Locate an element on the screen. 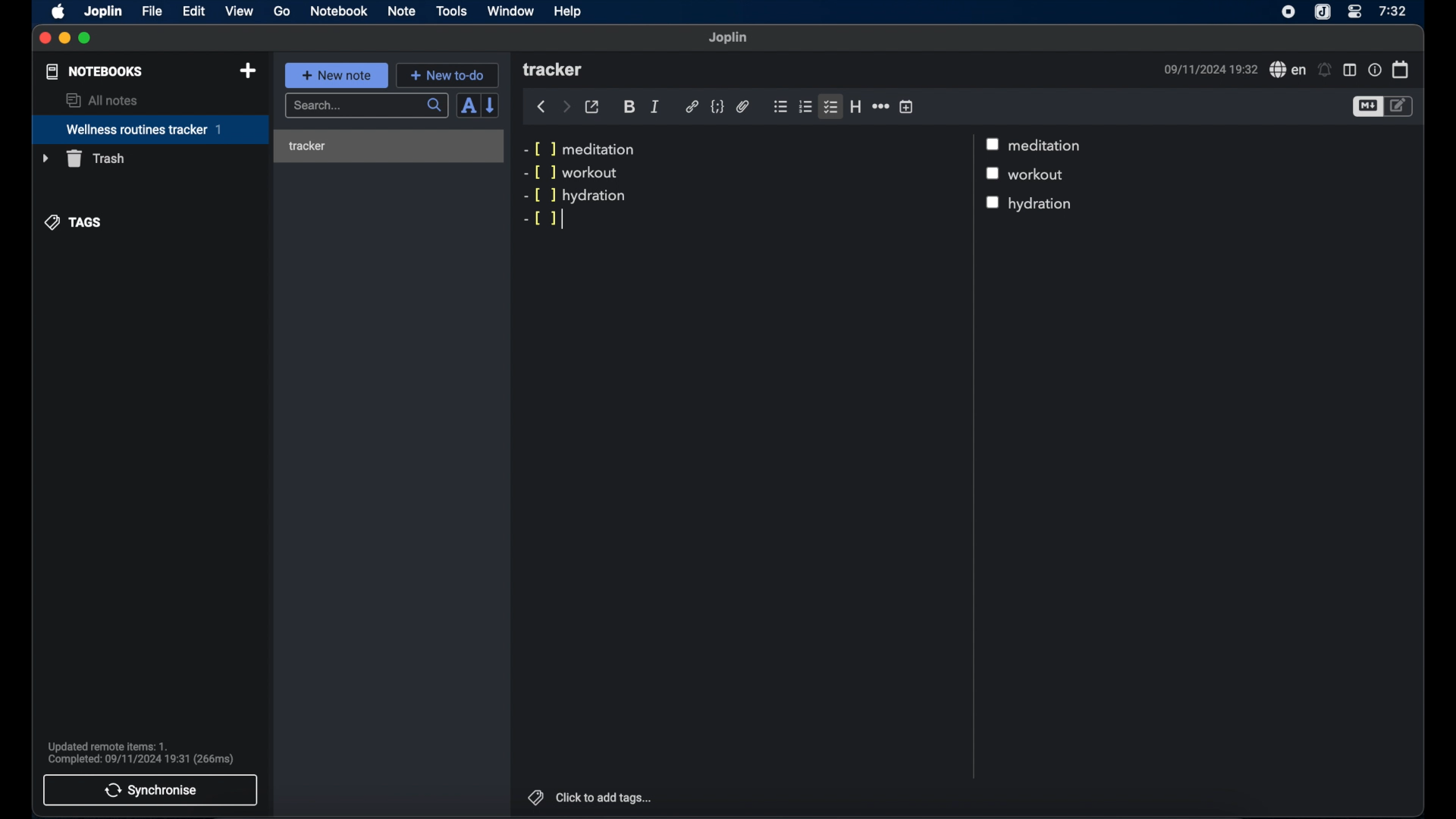  click to add tags is located at coordinates (605, 797).